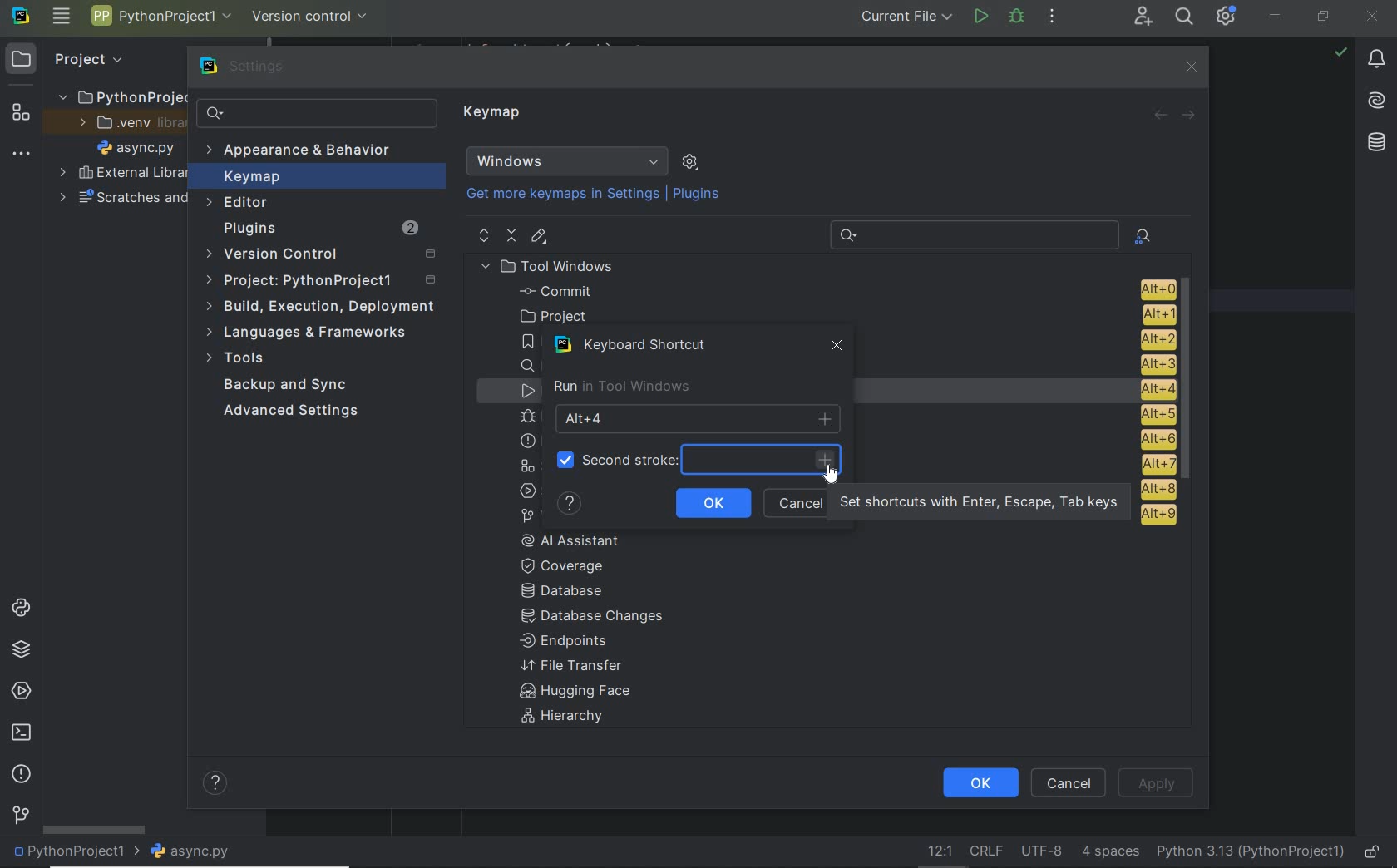 This screenshot has height=868, width=1397. I want to click on back, so click(1161, 116).